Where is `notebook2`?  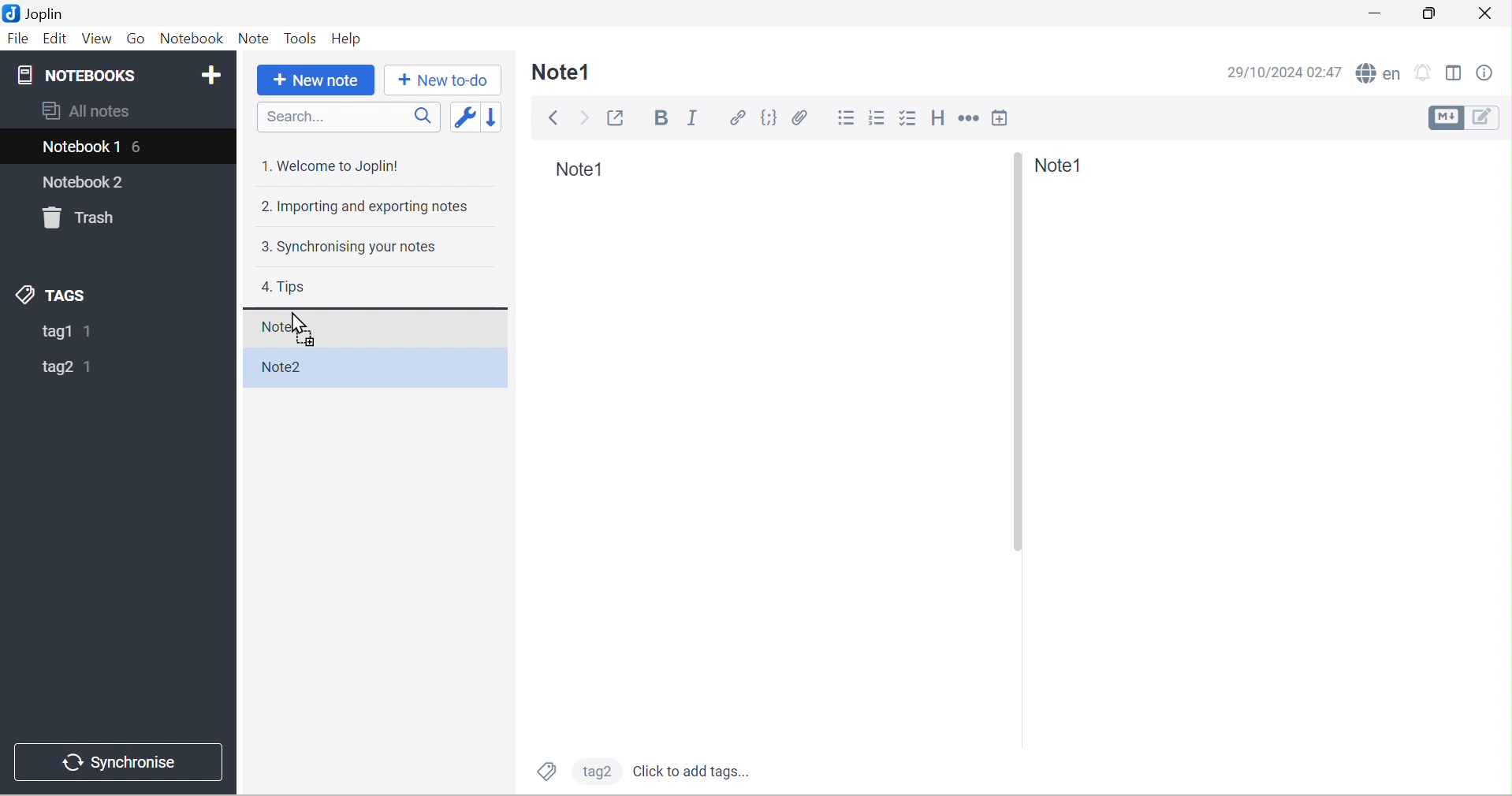 notebook2 is located at coordinates (77, 182).